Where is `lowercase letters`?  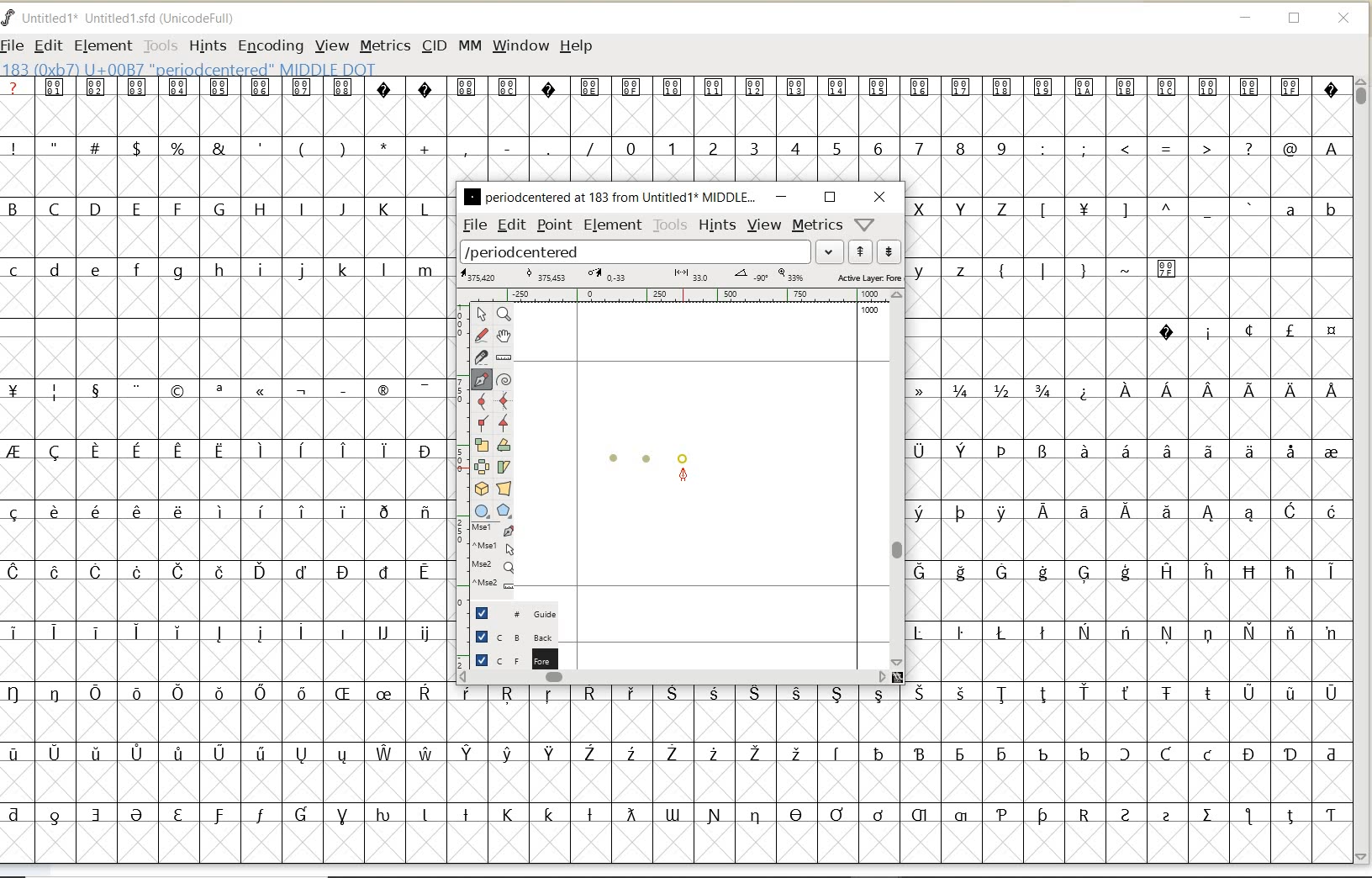
lowercase letters is located at coordinates (950, 269).